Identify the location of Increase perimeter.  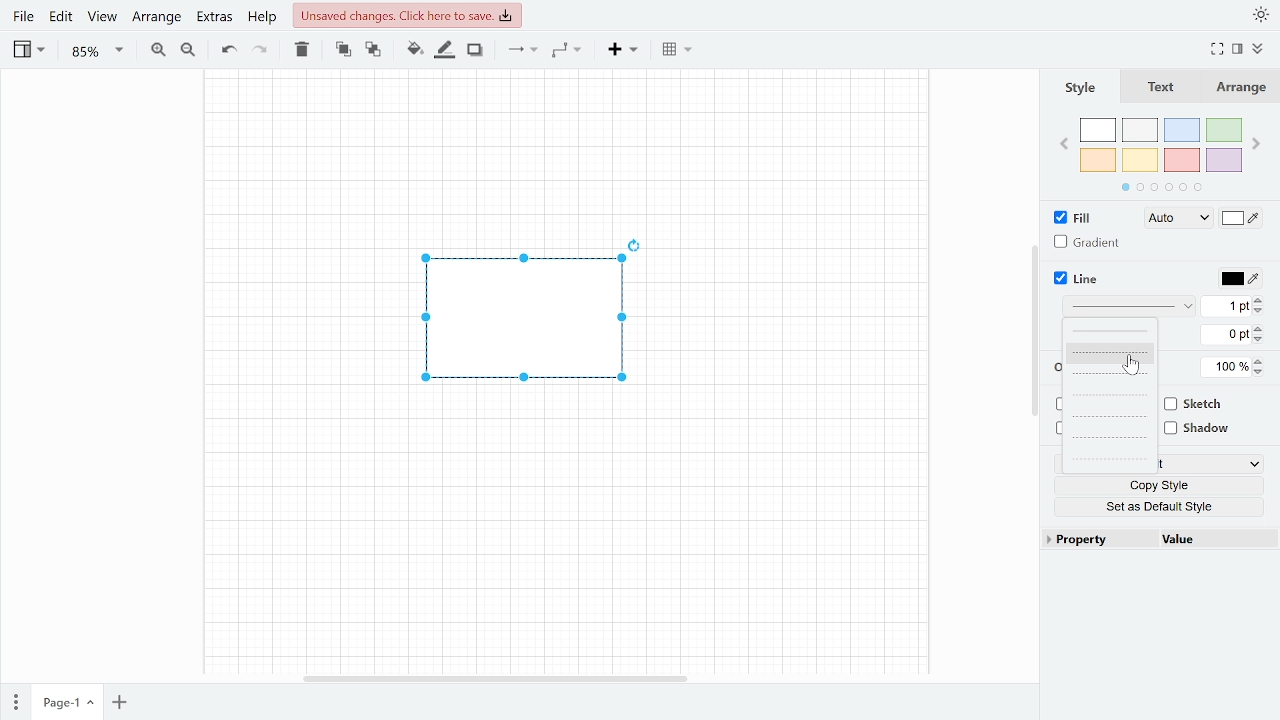
(1261, 327).